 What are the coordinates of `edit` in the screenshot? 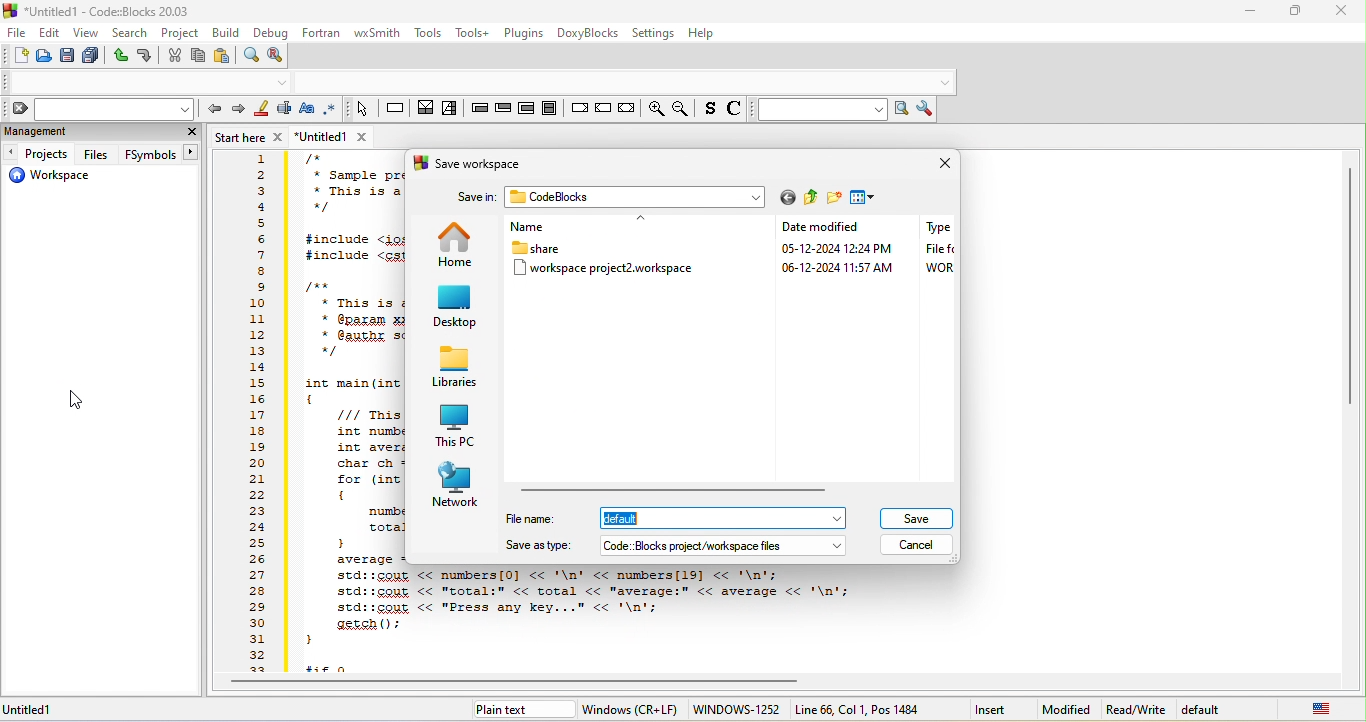 It's located at (48, 34).